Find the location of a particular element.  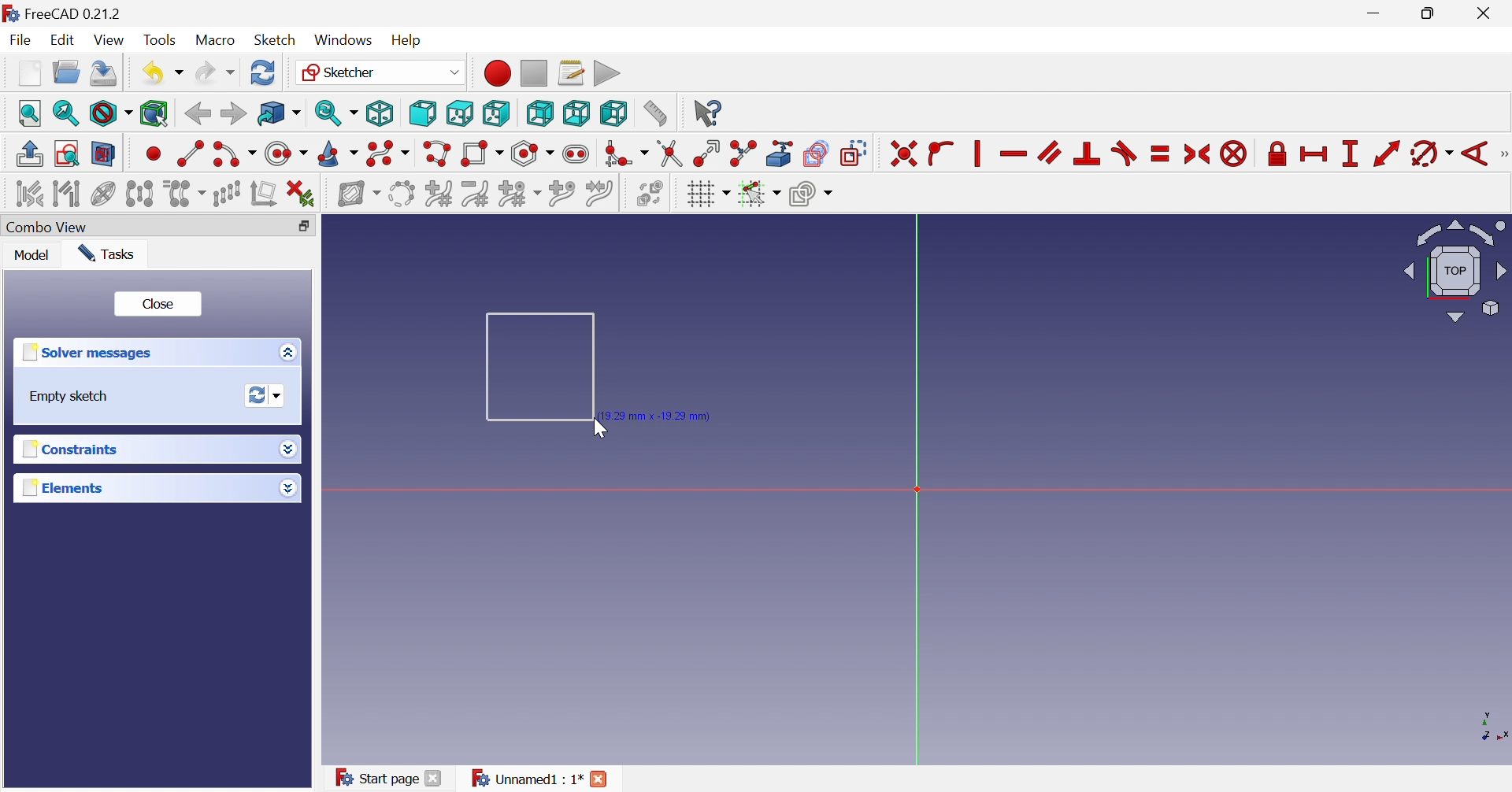

Constrain equal is located at coordinates (1161, 154).